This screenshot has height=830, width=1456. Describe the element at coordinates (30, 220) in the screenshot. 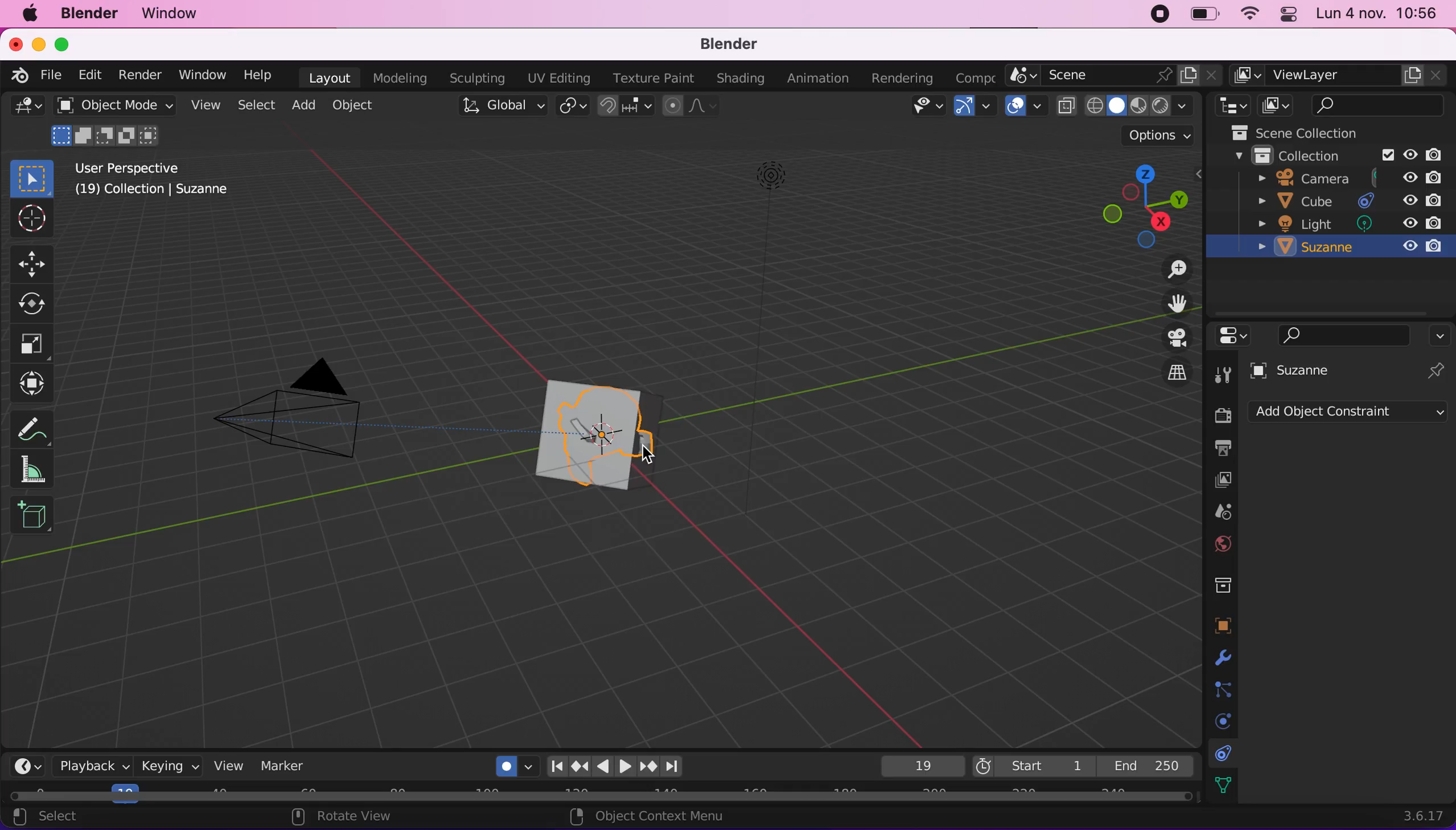

I see `cursor` at that location.